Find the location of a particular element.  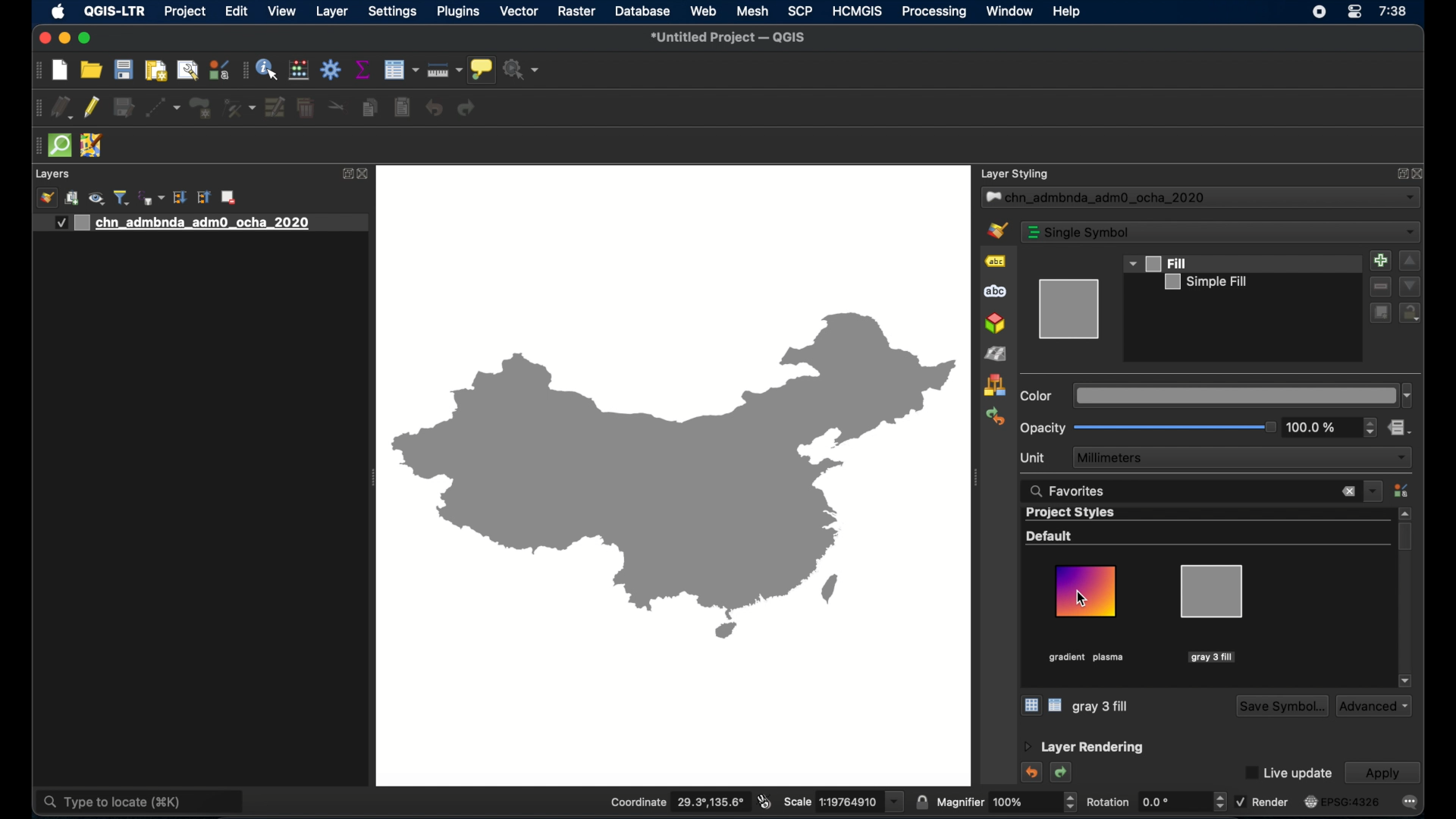

Coordinate 29.3°,135.6° is located at coordinates (680, 799).